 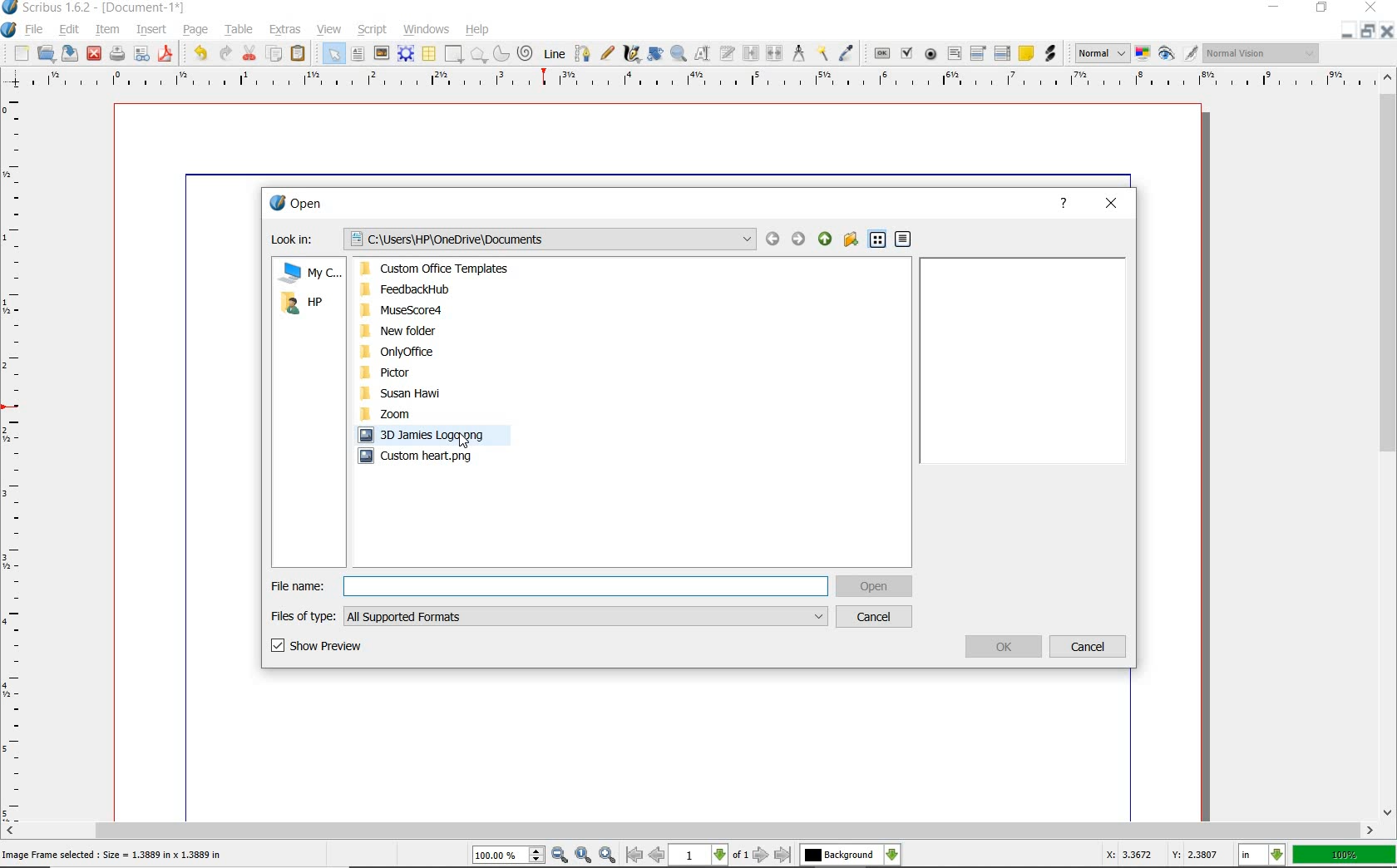 What do you see at coordinates (442, 289) in the screenshot?
I see `FeedbackHub` at bounding box center [442, 289].